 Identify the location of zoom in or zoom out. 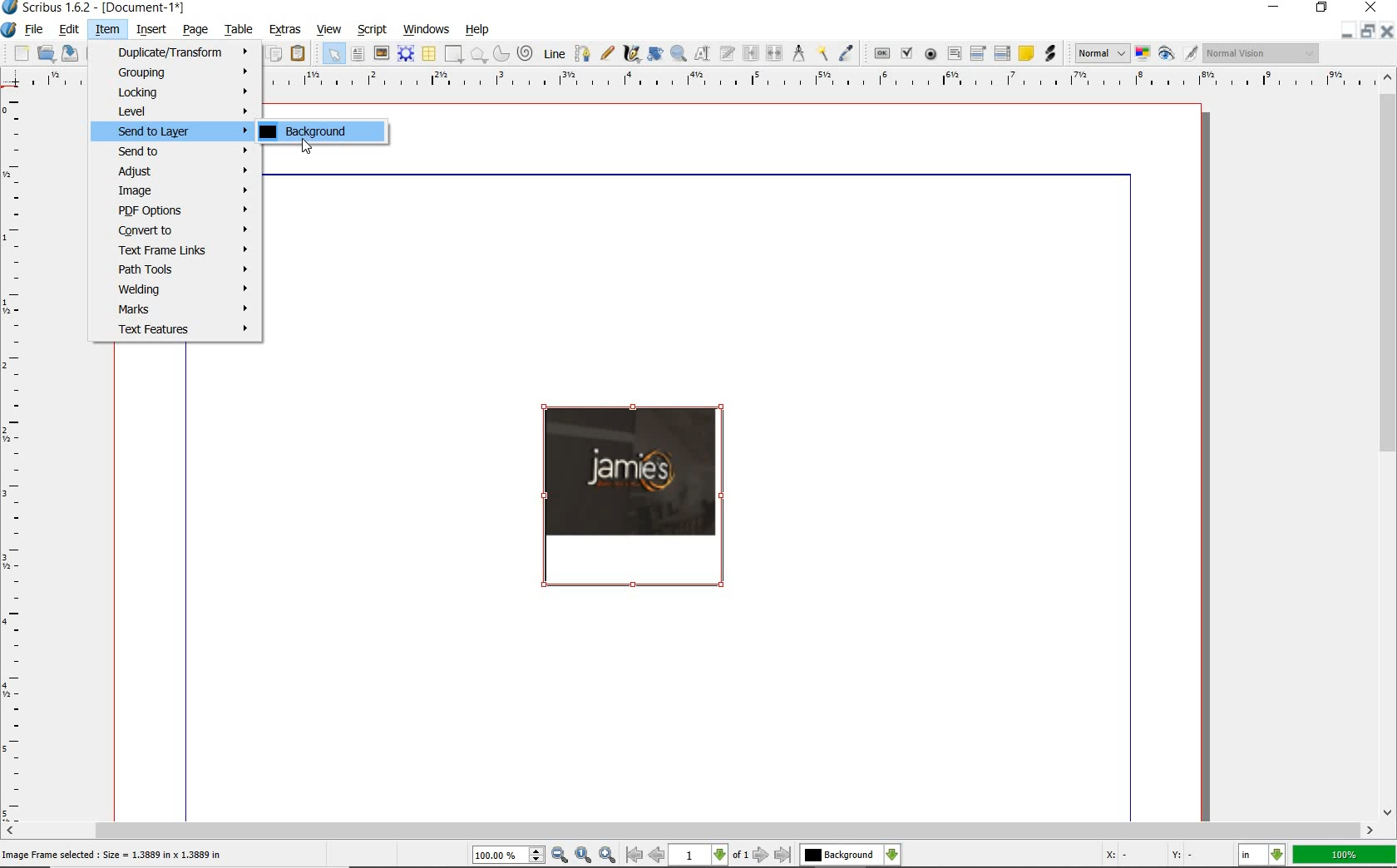
(679, 53).